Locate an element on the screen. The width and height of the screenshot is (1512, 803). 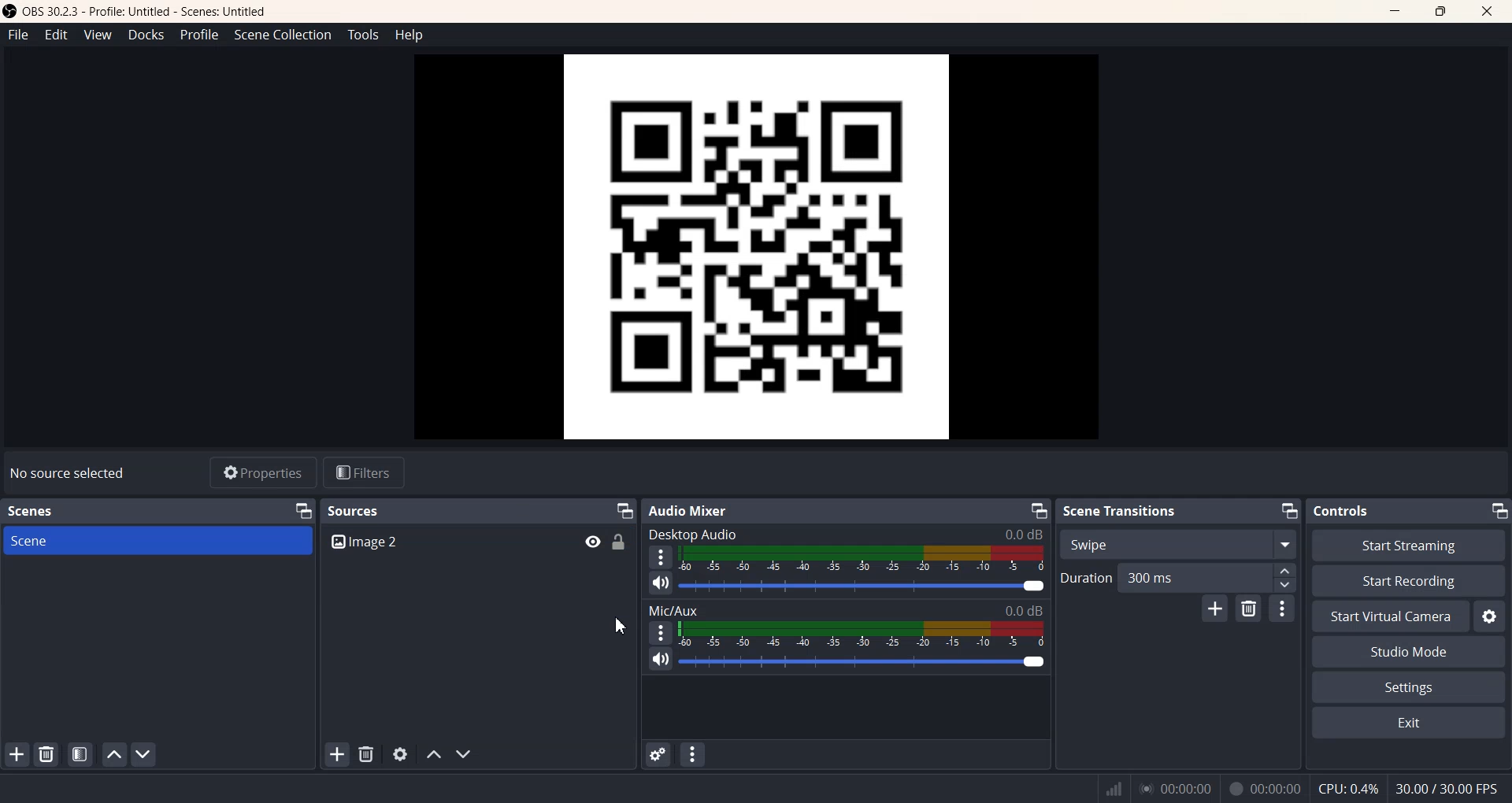
Settings is located at coordinates (1409, 687).